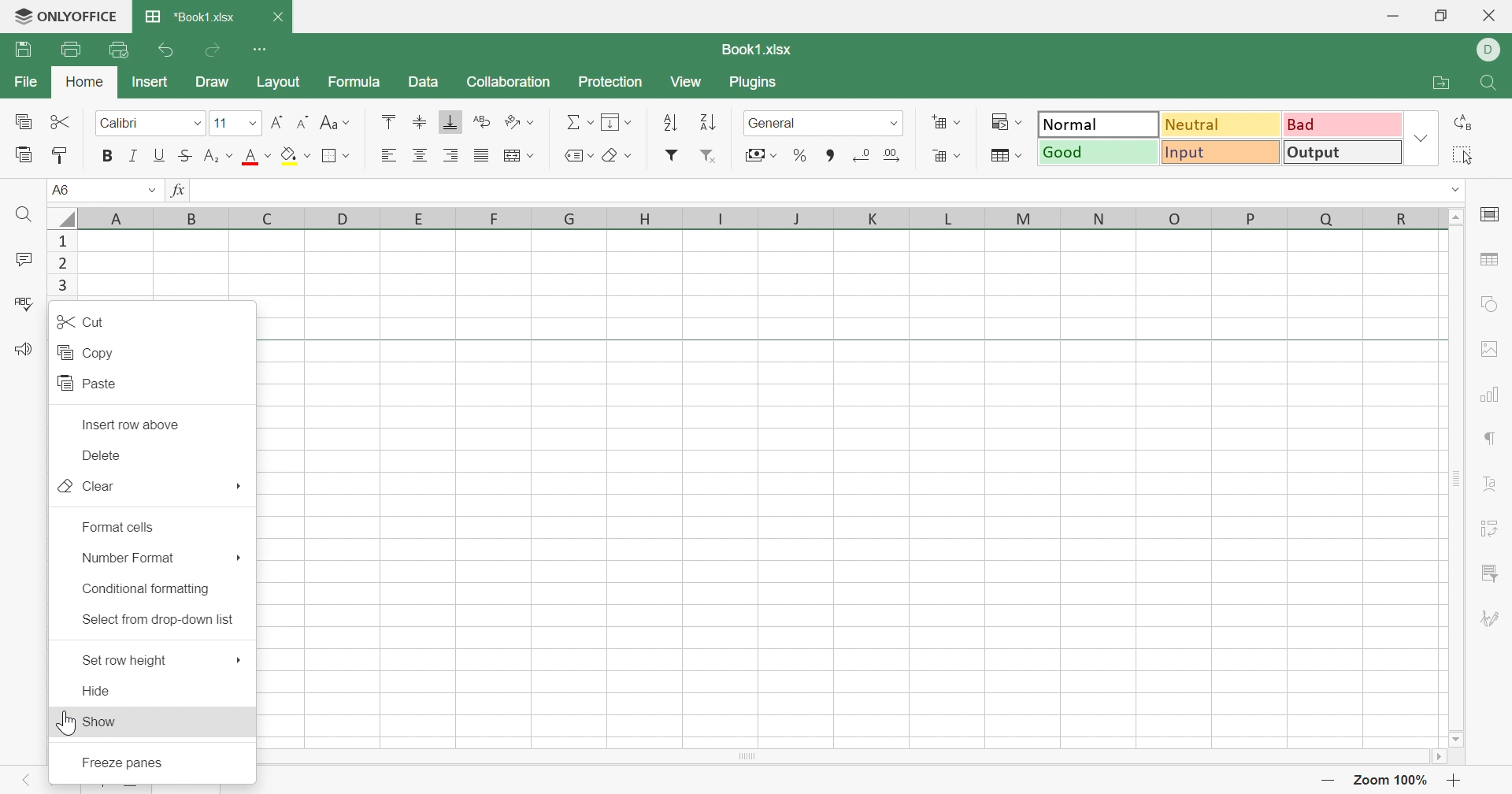 The height and width of the screenshot is (794, 1512). I want to click on Conditional formatting, so click(1002, 118).